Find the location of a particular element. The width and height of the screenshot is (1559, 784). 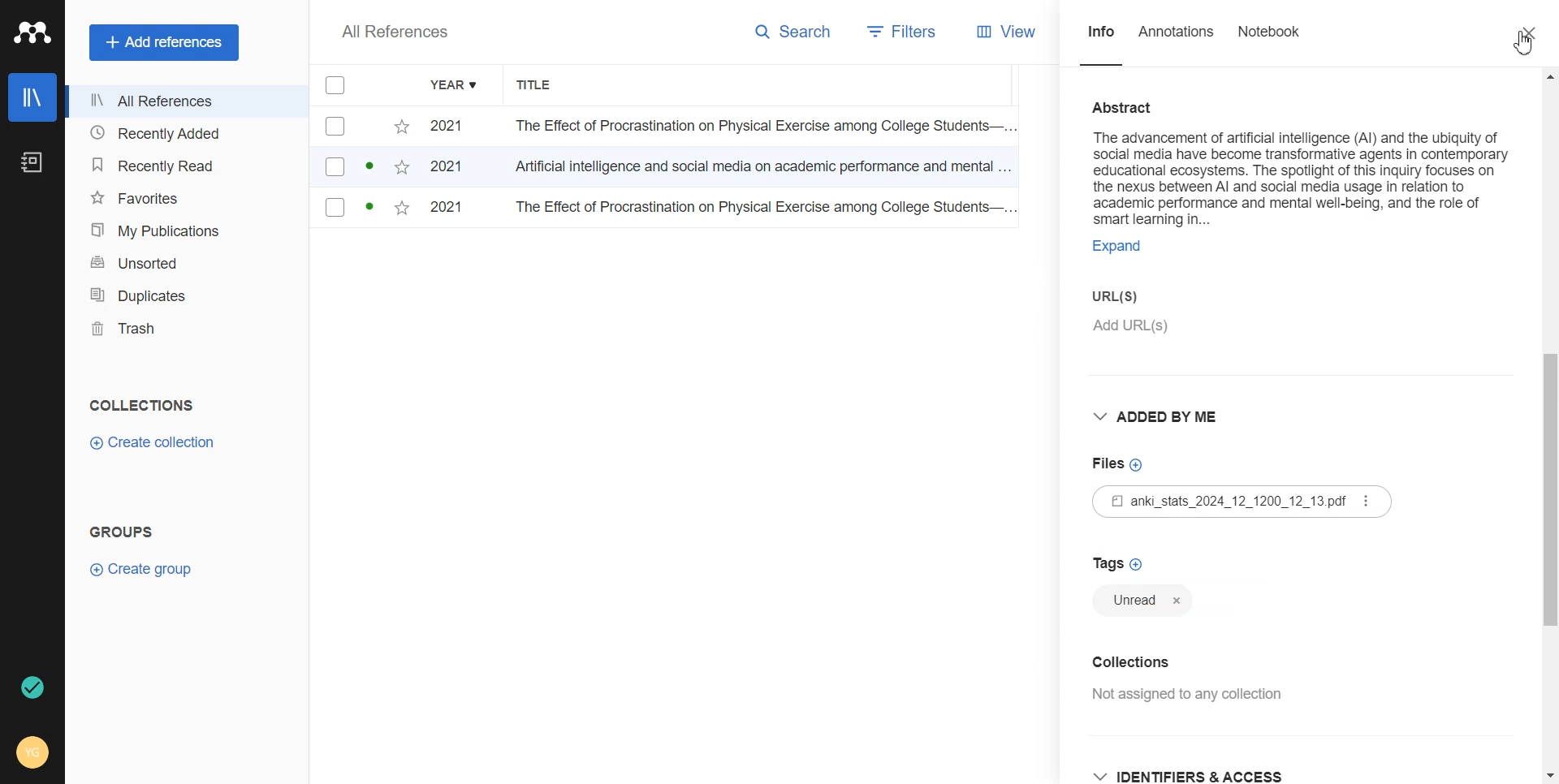

My Publication is located at coordinates (185, 230).